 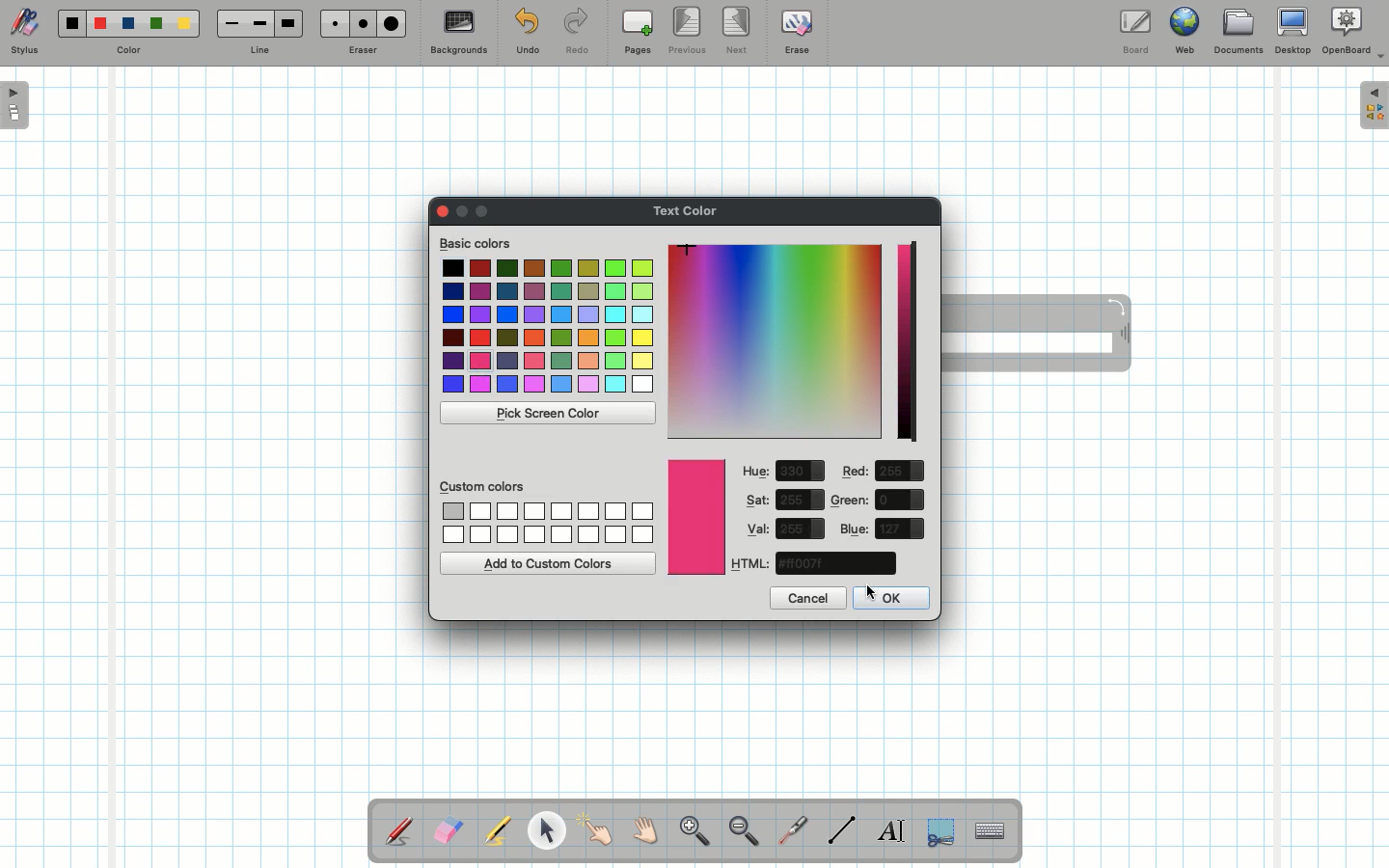 I want to click on Val, so click(x=758, y=529).